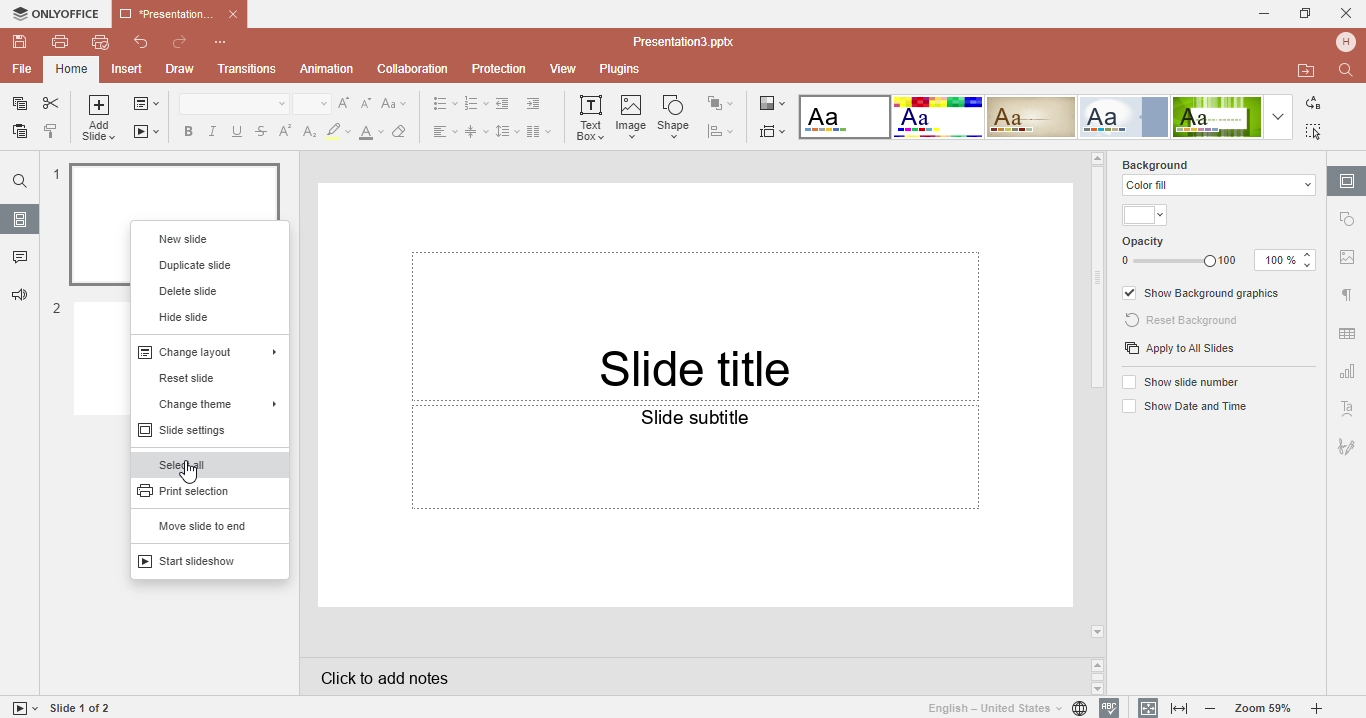 Image resolution: width=1366 pixels, height=718 pixels. I want to click on Quick print, so click(99, 45).